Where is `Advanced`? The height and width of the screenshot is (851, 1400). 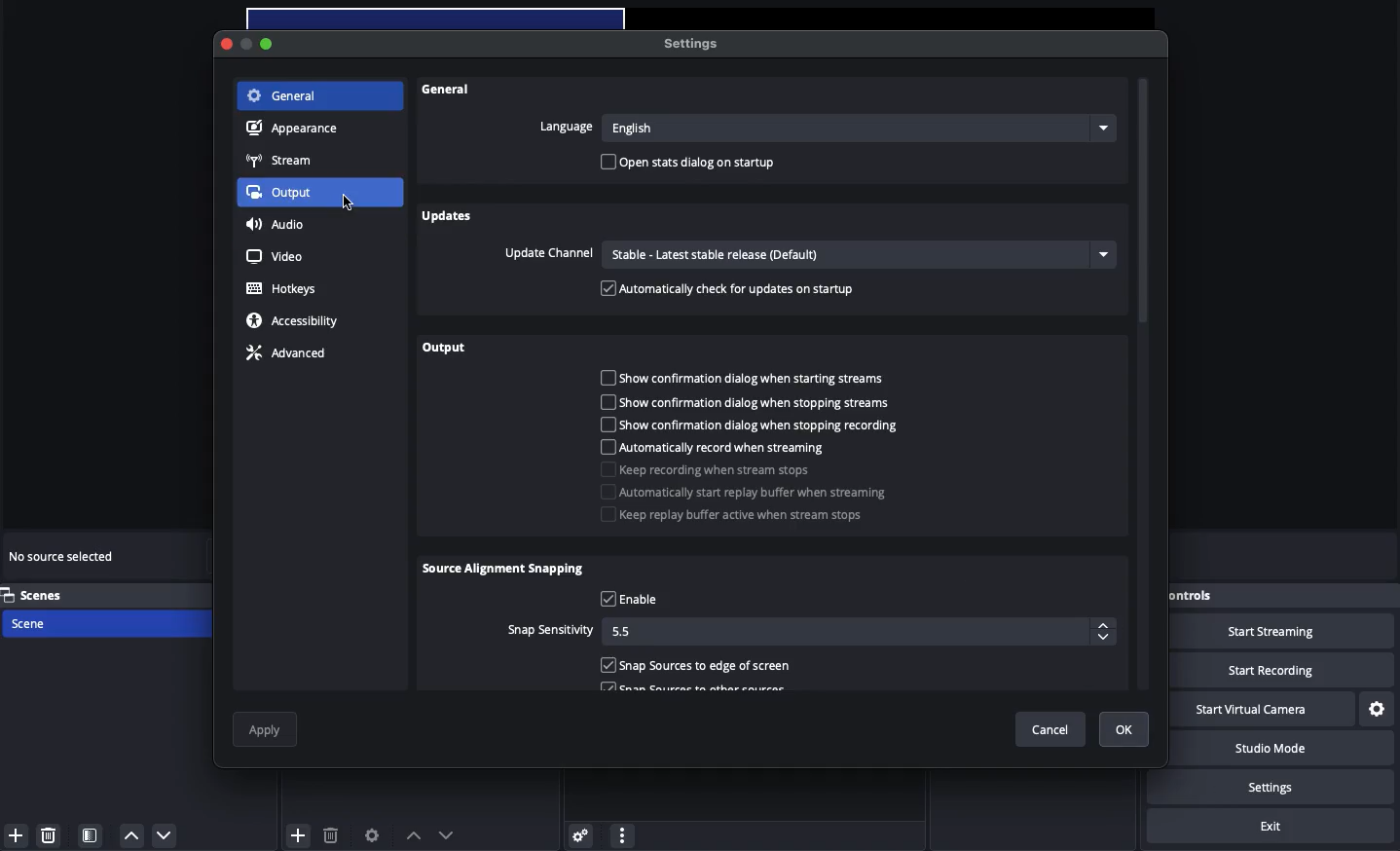
Advanced is located at coordinates (284, 355).